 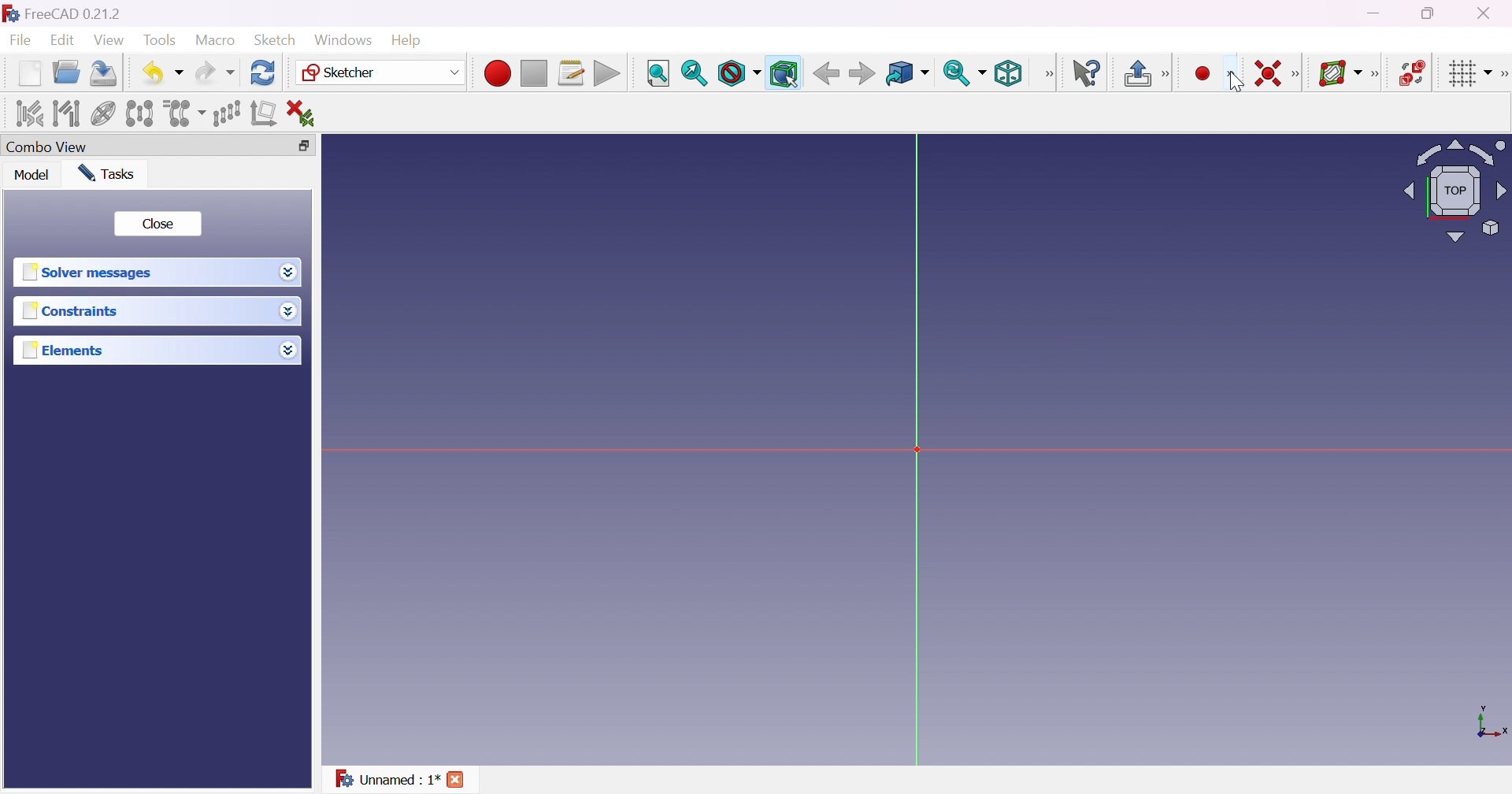 What do you see at coordinates (183, 113) in the screenshot?
I see `Clone` at bounding box center [183, 113].